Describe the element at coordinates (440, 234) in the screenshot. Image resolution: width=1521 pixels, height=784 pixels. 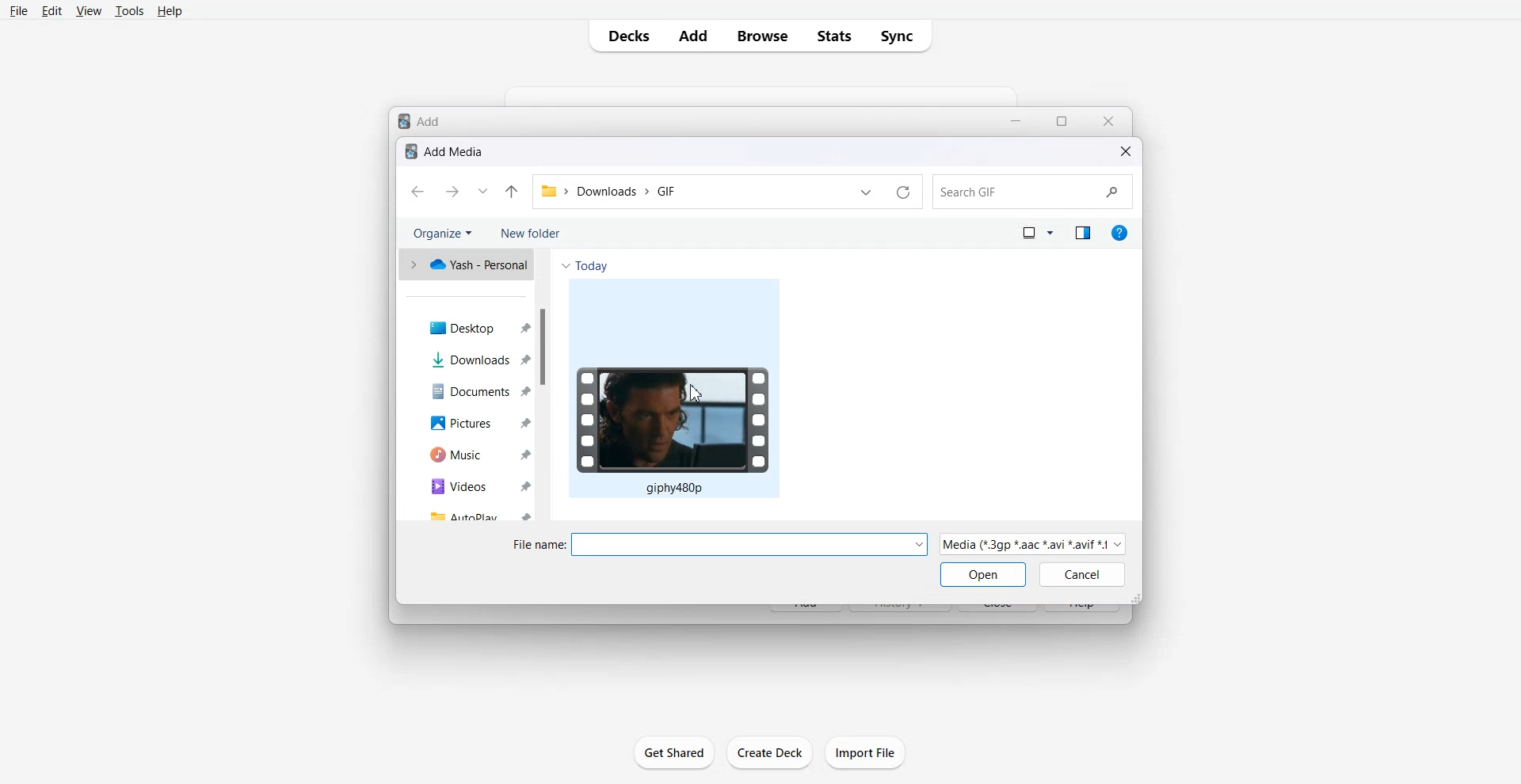
I see `Organize` at that location.